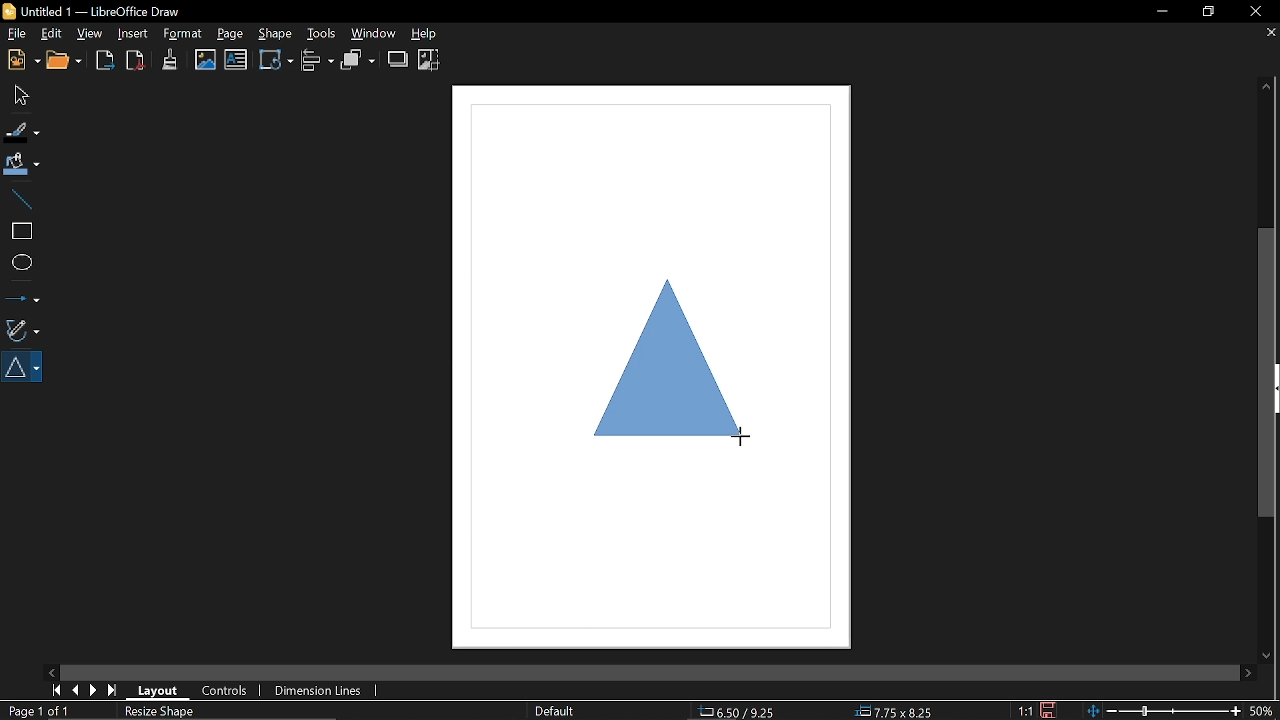 The width and height of the screenshot is (1280, 720). What do you see at coordinates (741, 434) in the screenshot?
I see `Cursor` at bounding box center [741, 434].